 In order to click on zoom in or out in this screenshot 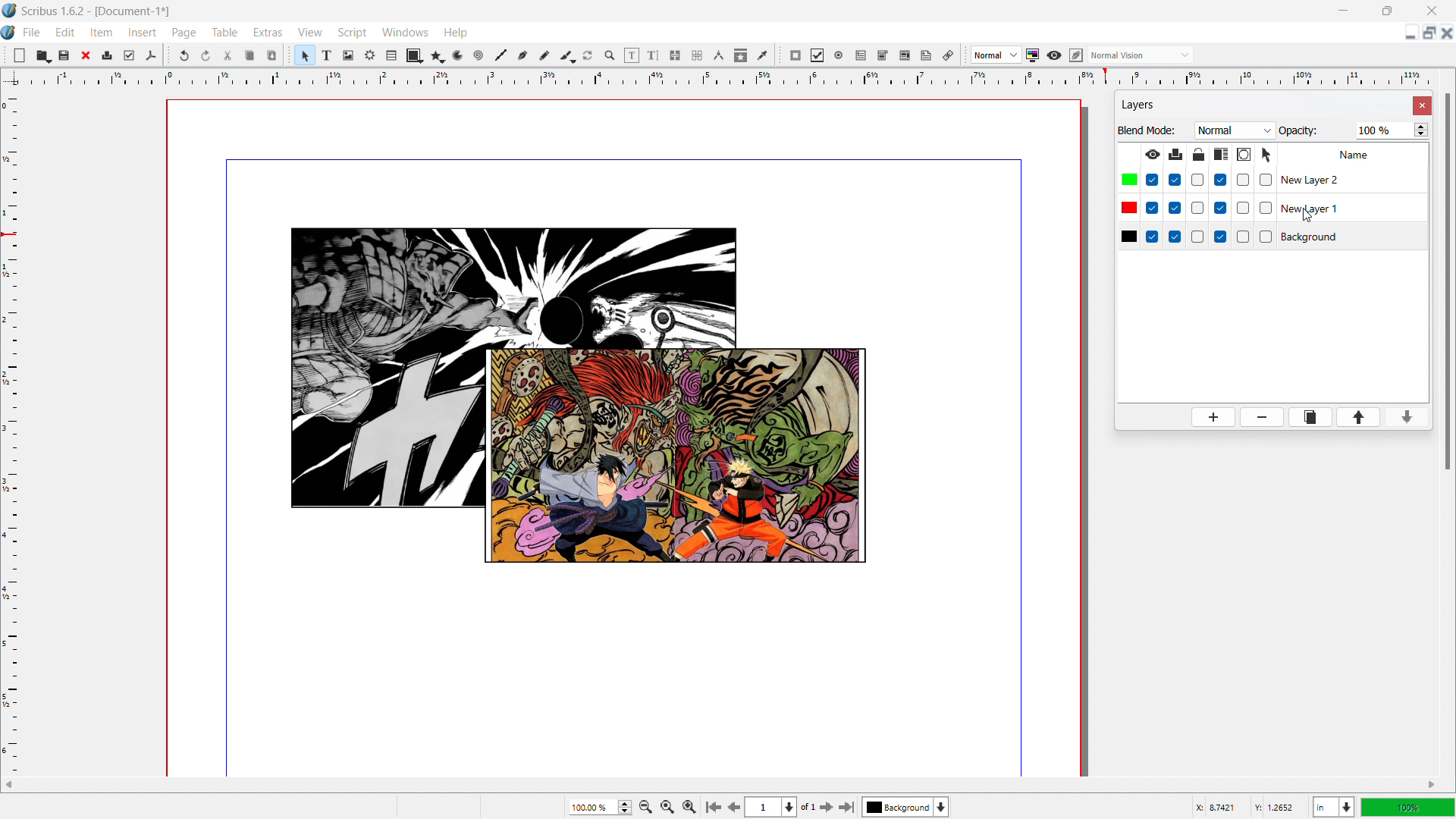, I will do `click(610, 55)`.